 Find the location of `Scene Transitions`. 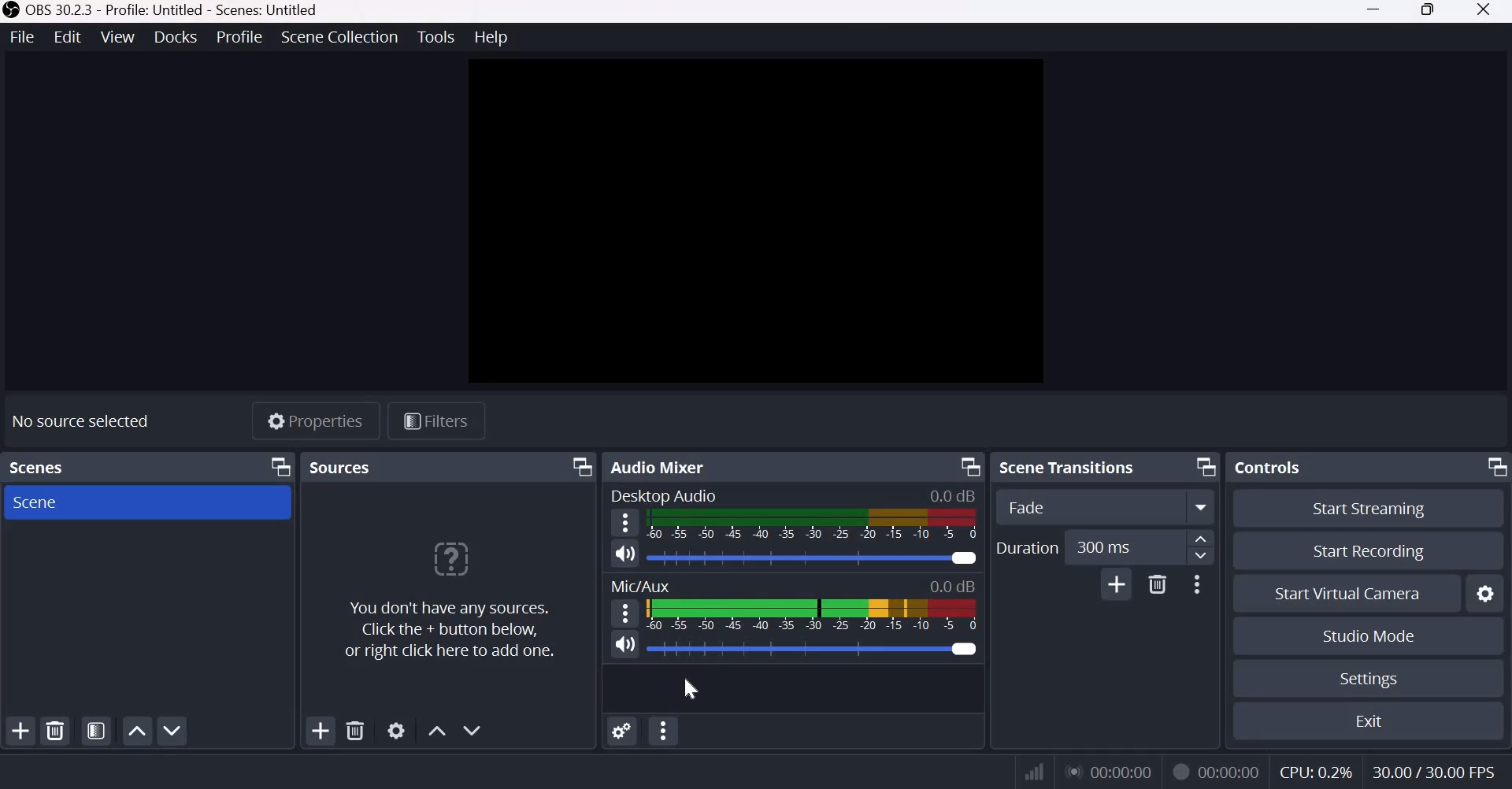

Scene Transitions is located at coordinates (1074, 467).